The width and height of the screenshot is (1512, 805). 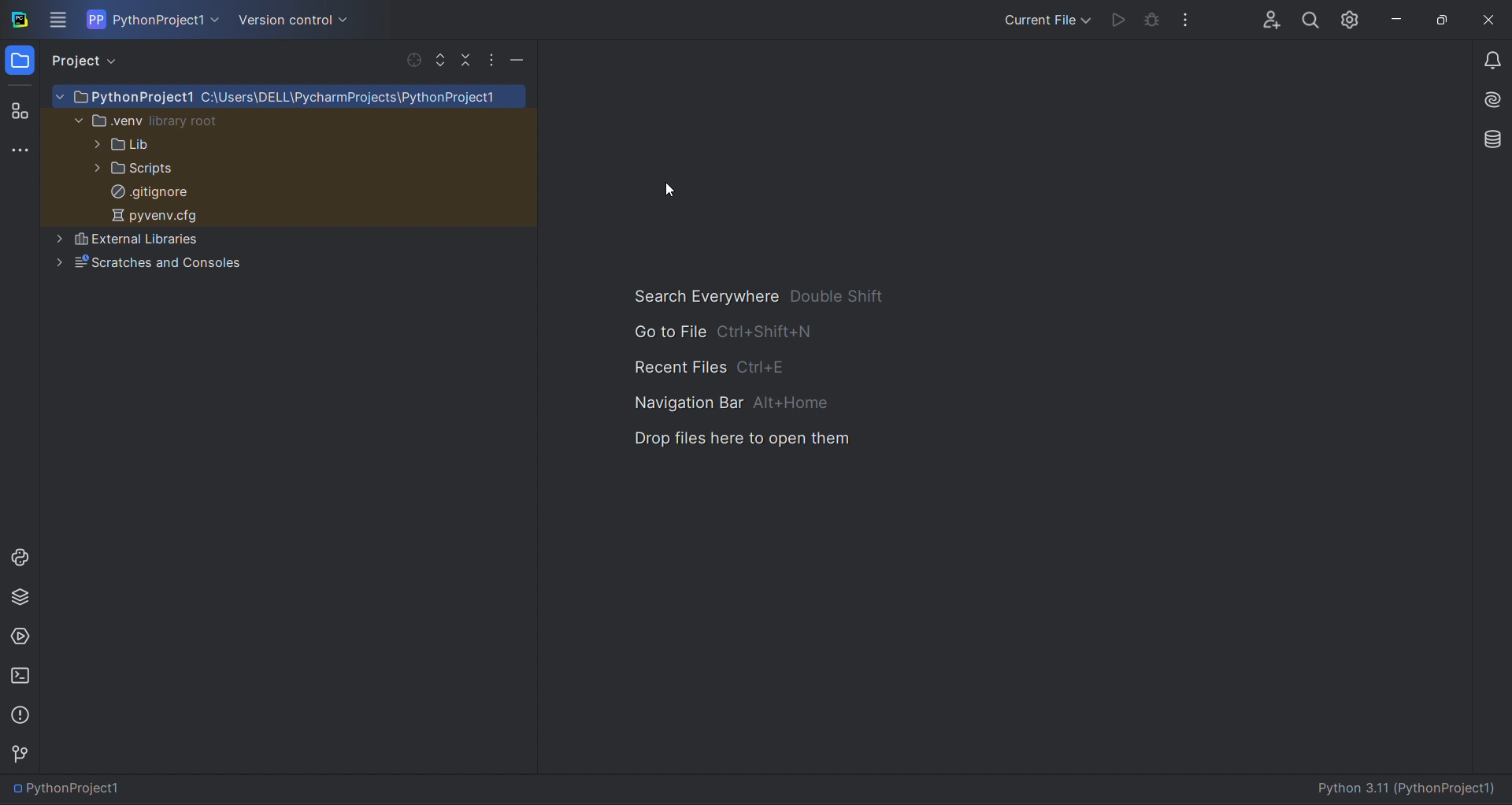 What do you see at coordinates (1410, 787) in the screenshot?
I see `Python 3.11(PythonProject)` at bounding box center [1410, 787].